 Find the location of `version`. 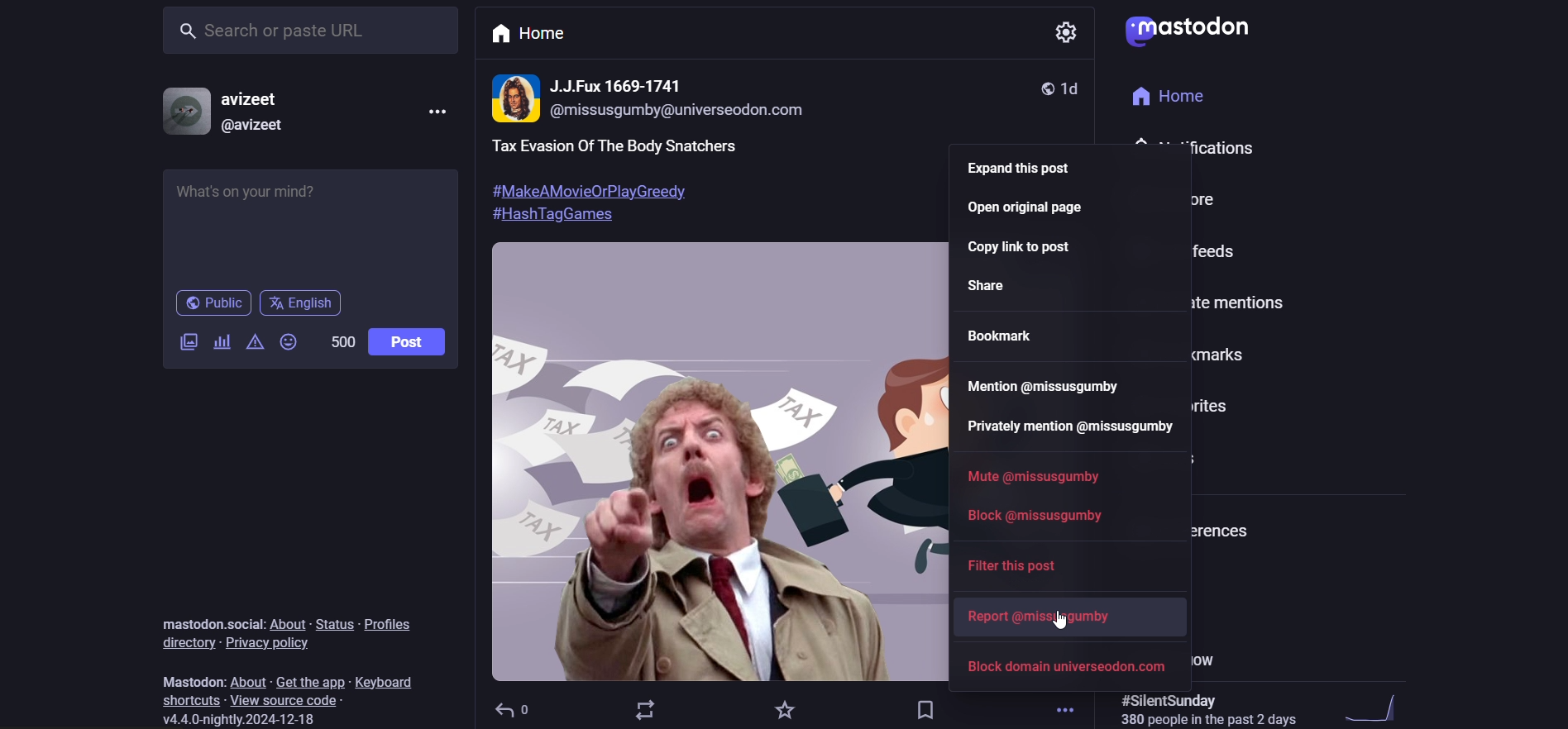

version is located at coordinates (240, 717).